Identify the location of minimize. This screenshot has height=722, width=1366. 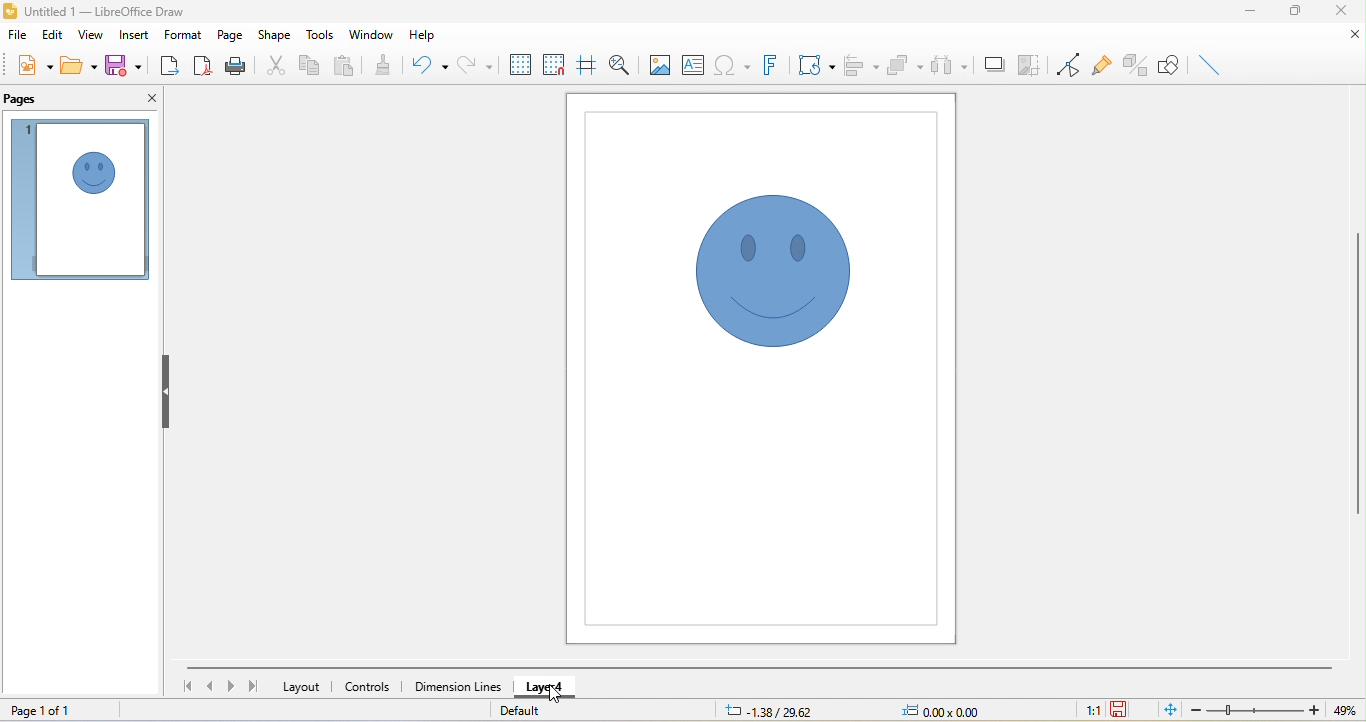
(1257, 13).